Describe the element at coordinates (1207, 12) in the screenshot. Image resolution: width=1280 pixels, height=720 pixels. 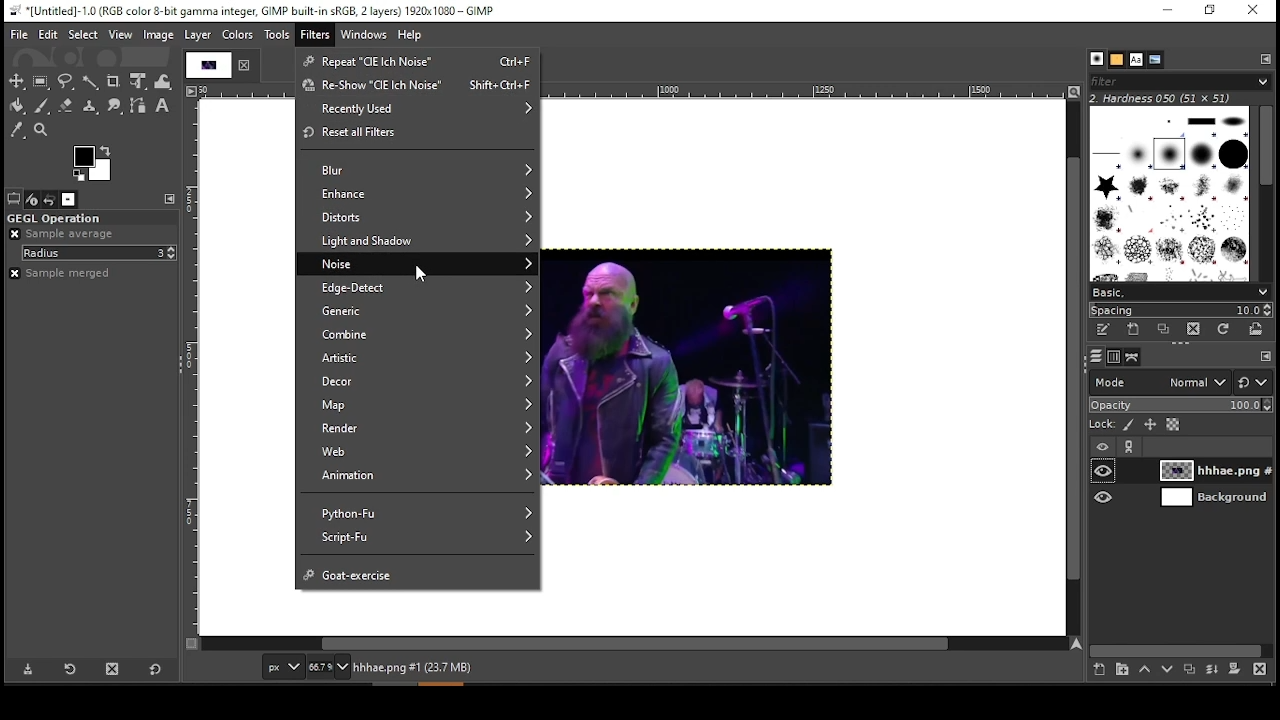
I see `restore` at that location.